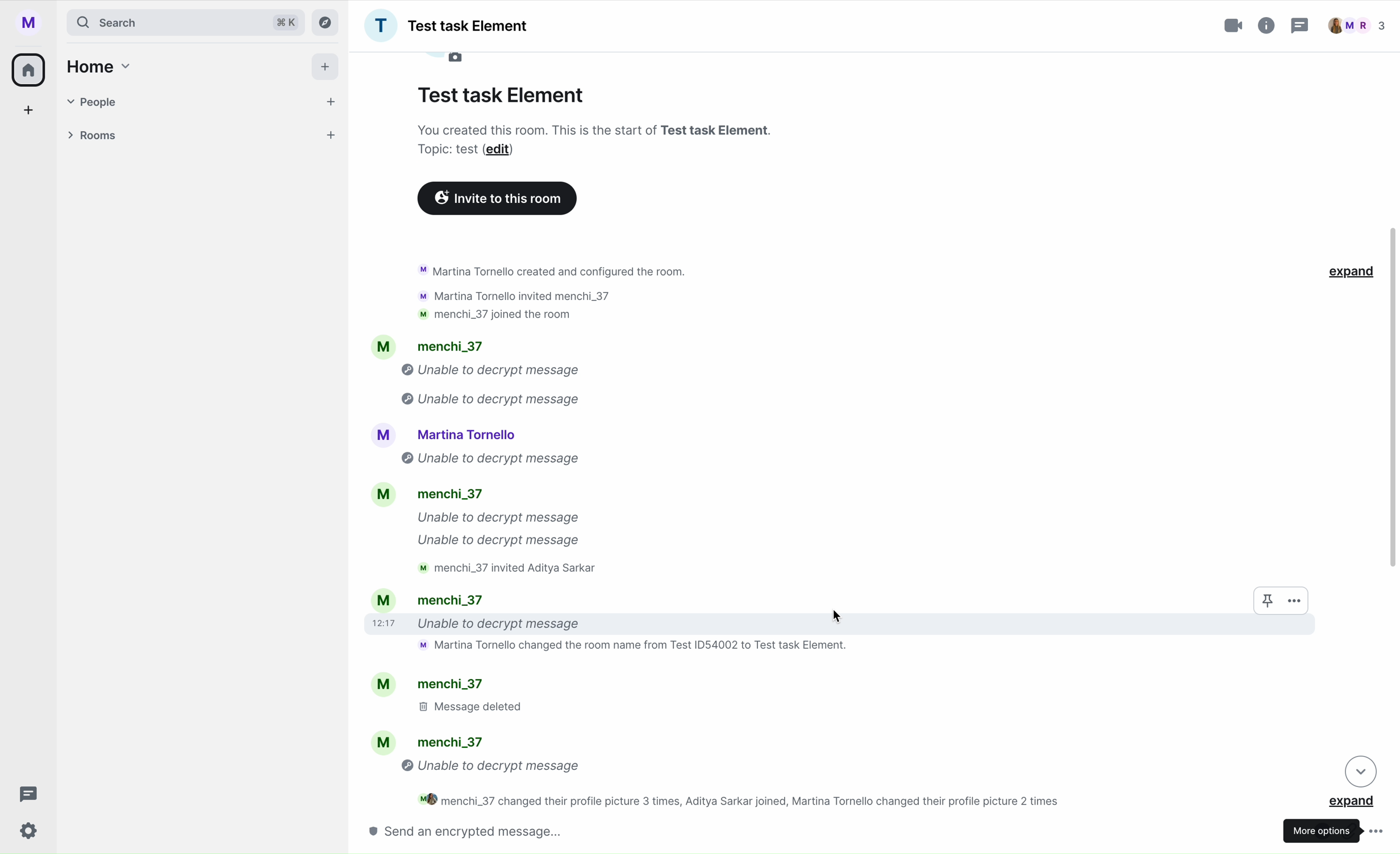 This screenshot has width=1400, height=854. What do you see at coordinates (25, 794) in the screenshot?
I see `threads` at bounding box center [25, 794].